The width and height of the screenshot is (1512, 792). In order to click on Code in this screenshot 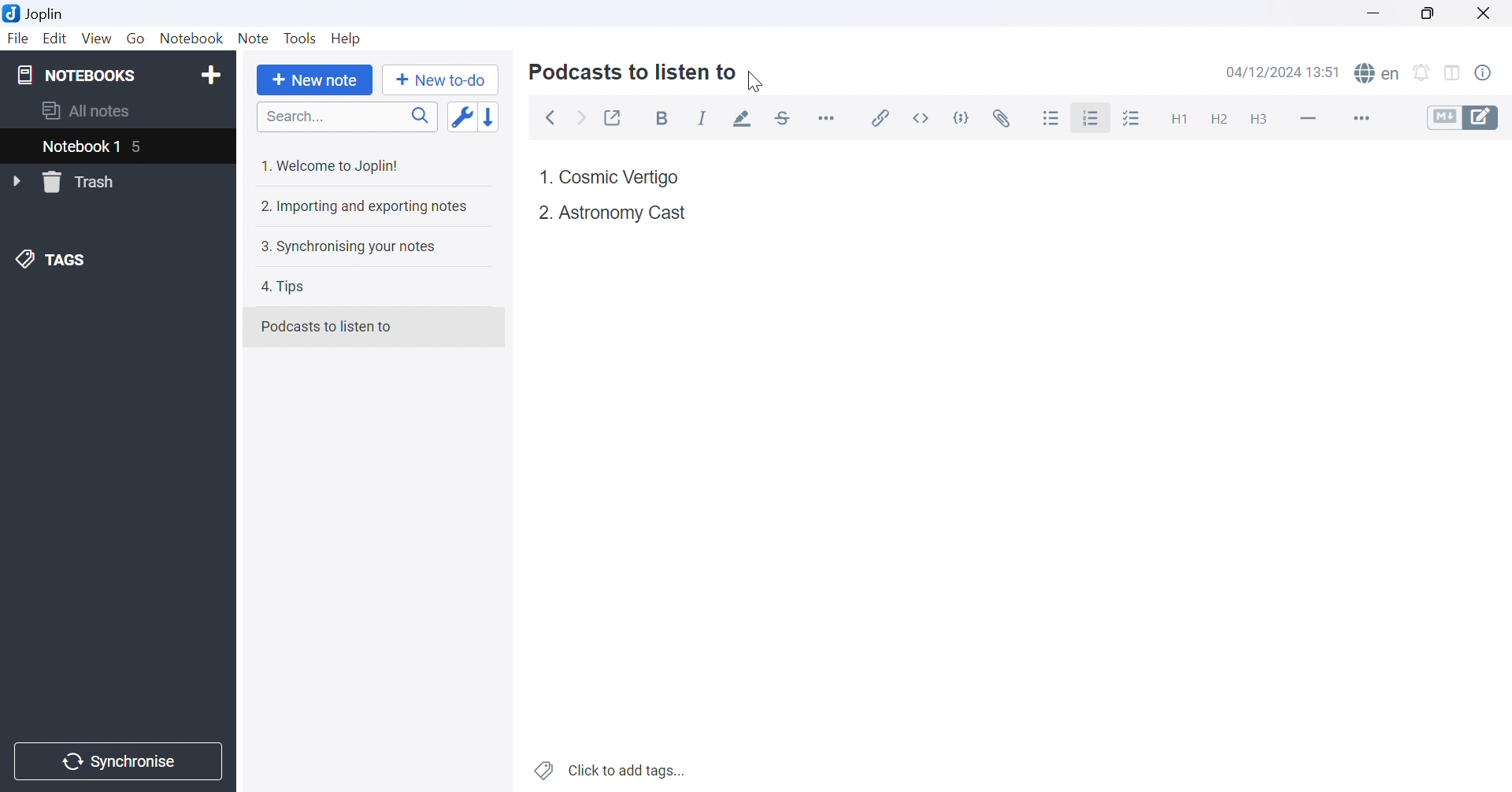, I will do `click(965, 117)`.